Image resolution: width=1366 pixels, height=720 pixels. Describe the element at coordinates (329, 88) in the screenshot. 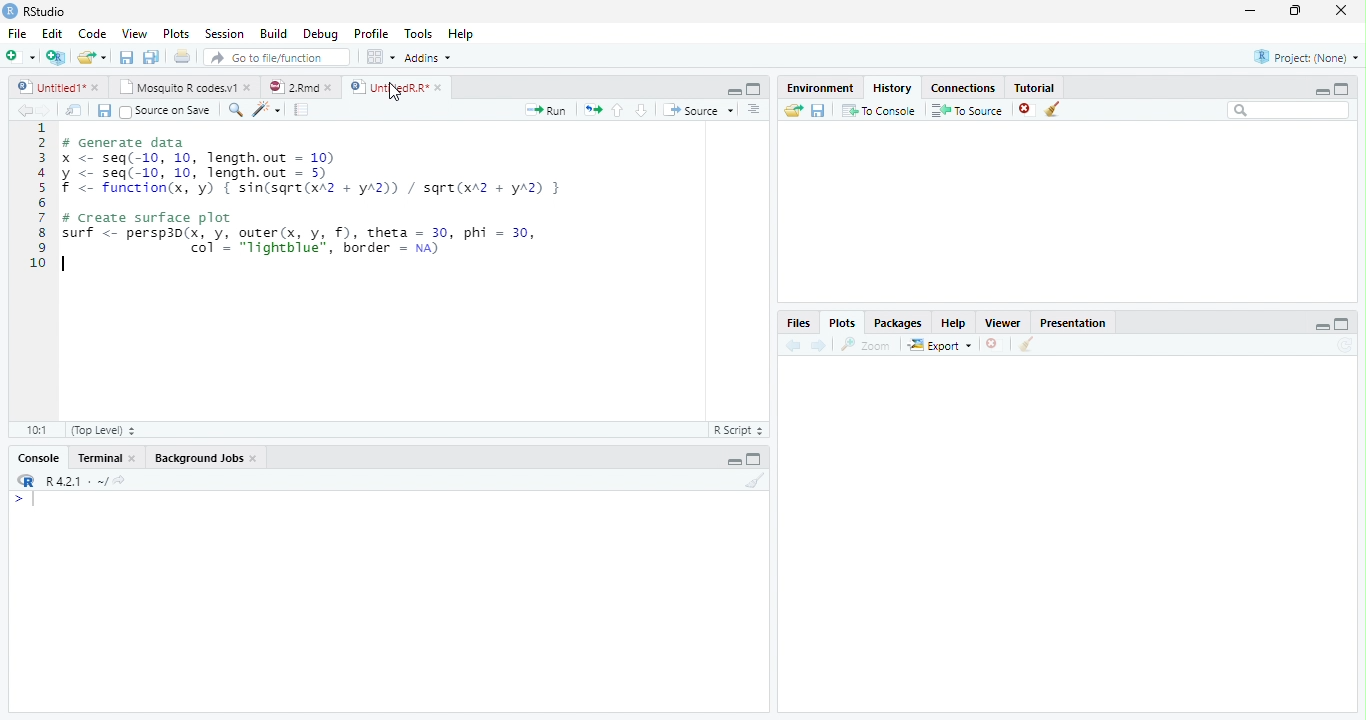

I see `close` at that location.